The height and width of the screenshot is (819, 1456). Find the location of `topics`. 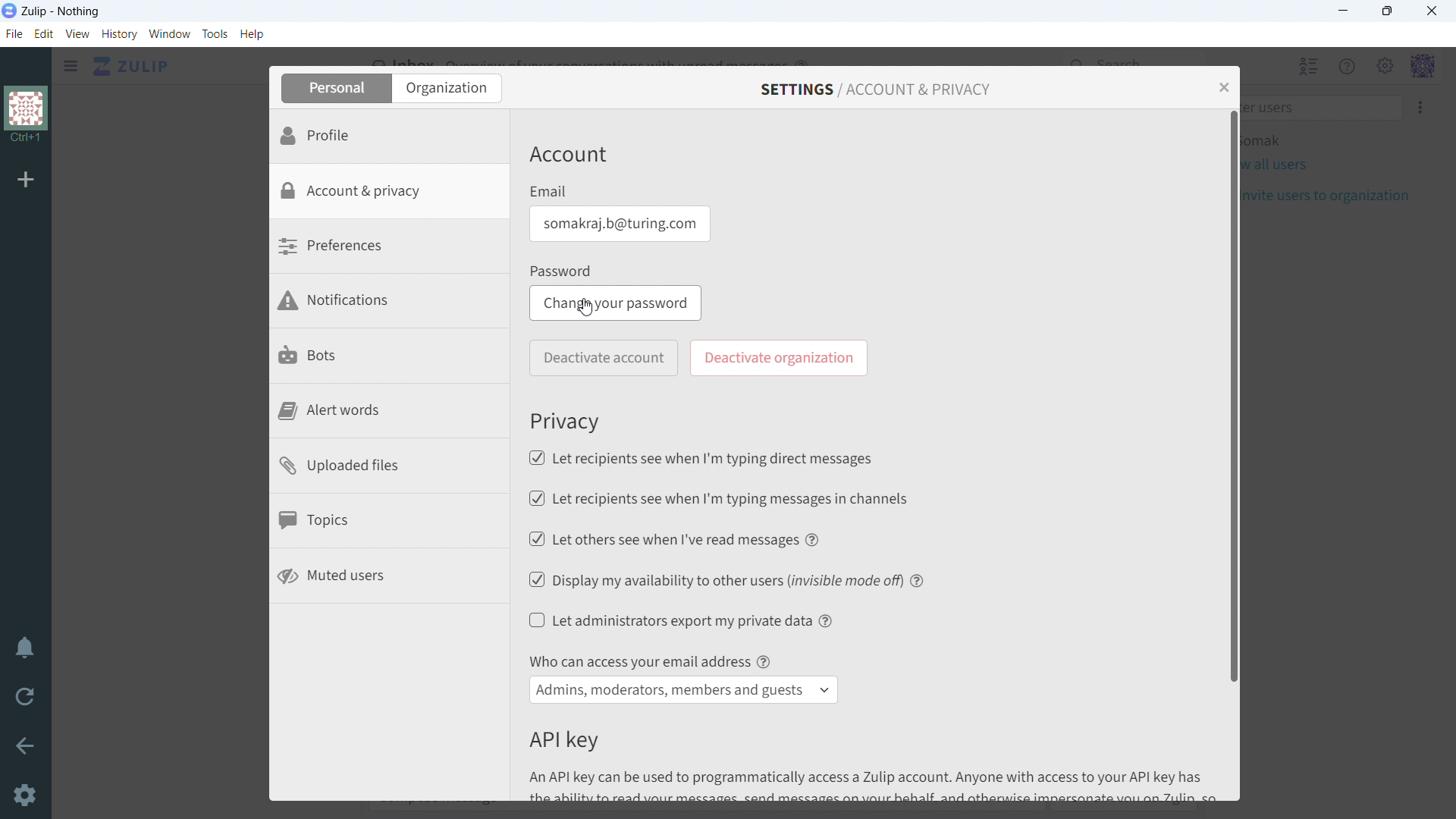

topics is located at coordinates (390, 523).